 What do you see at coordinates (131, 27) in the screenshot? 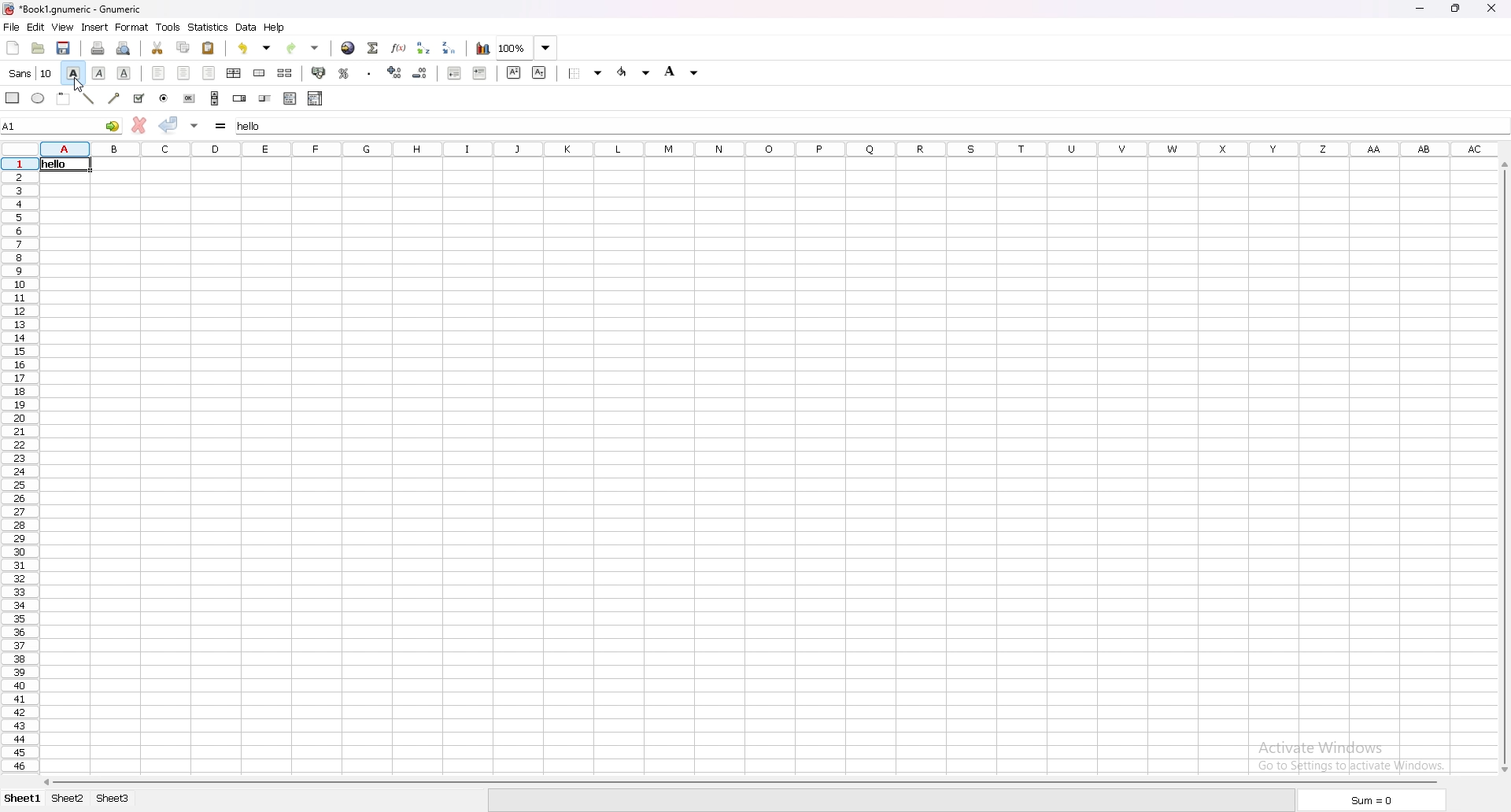
I see `format` at bounding box center [131, 27].